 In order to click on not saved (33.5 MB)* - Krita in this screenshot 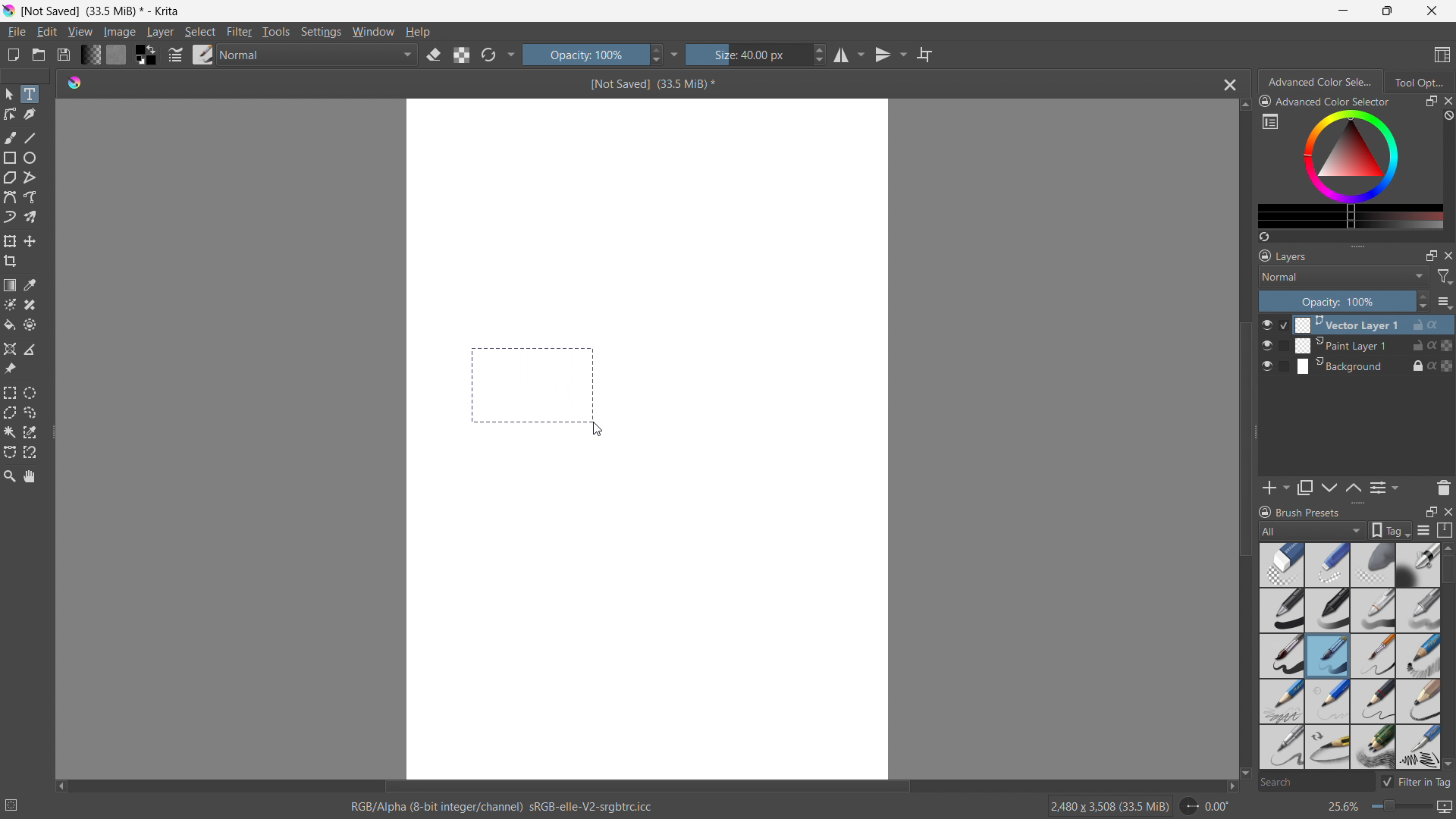, I will do `click(104, 10)`.